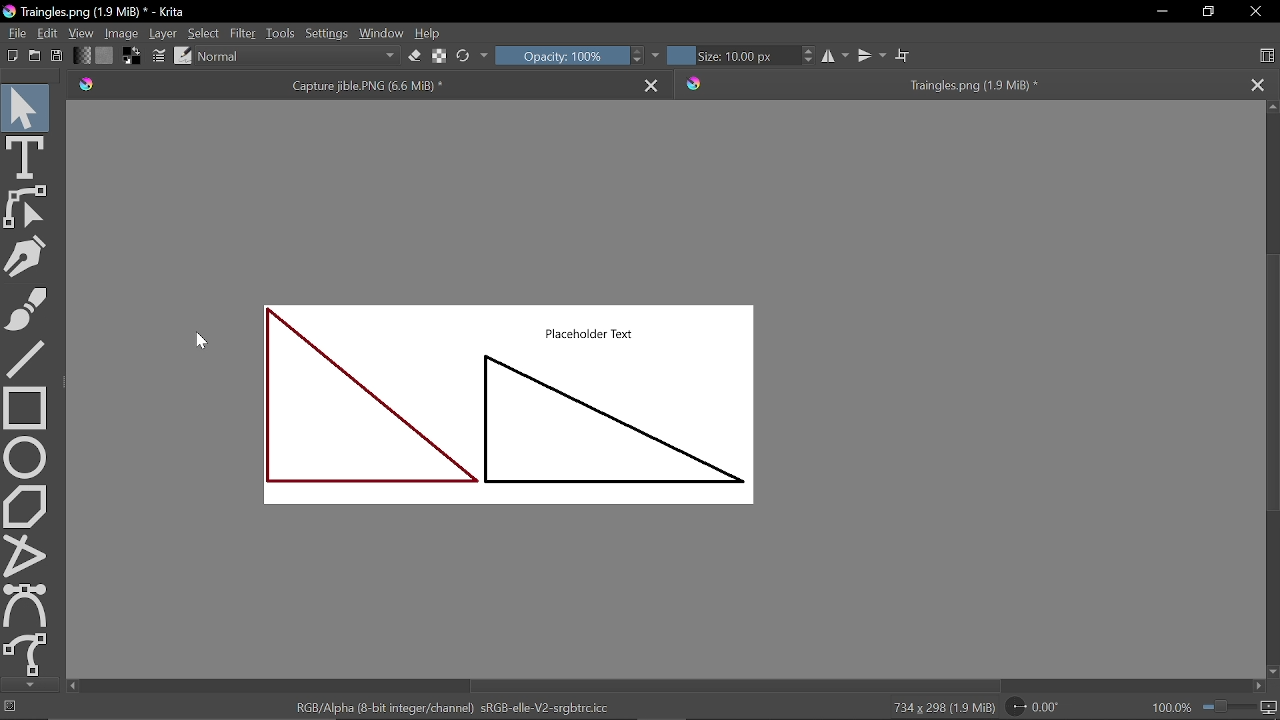  I want to click on Foreground color, so click(132, 56).